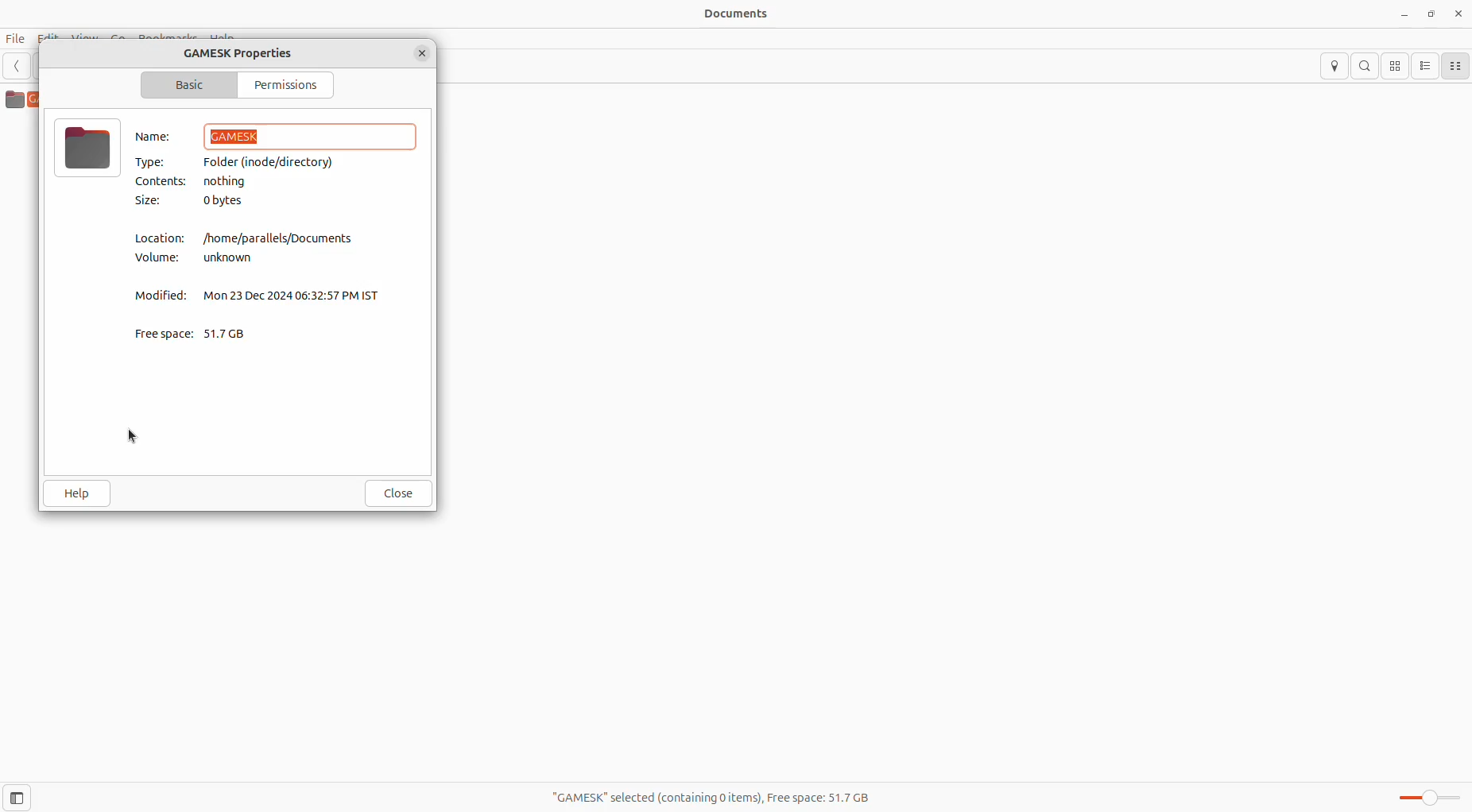 The width and height of the screenshot is (1472, 812). What do you see at coordinates (1454, 68) in the screenshot?
I see `compact view` at bounding box center [1454, 68].